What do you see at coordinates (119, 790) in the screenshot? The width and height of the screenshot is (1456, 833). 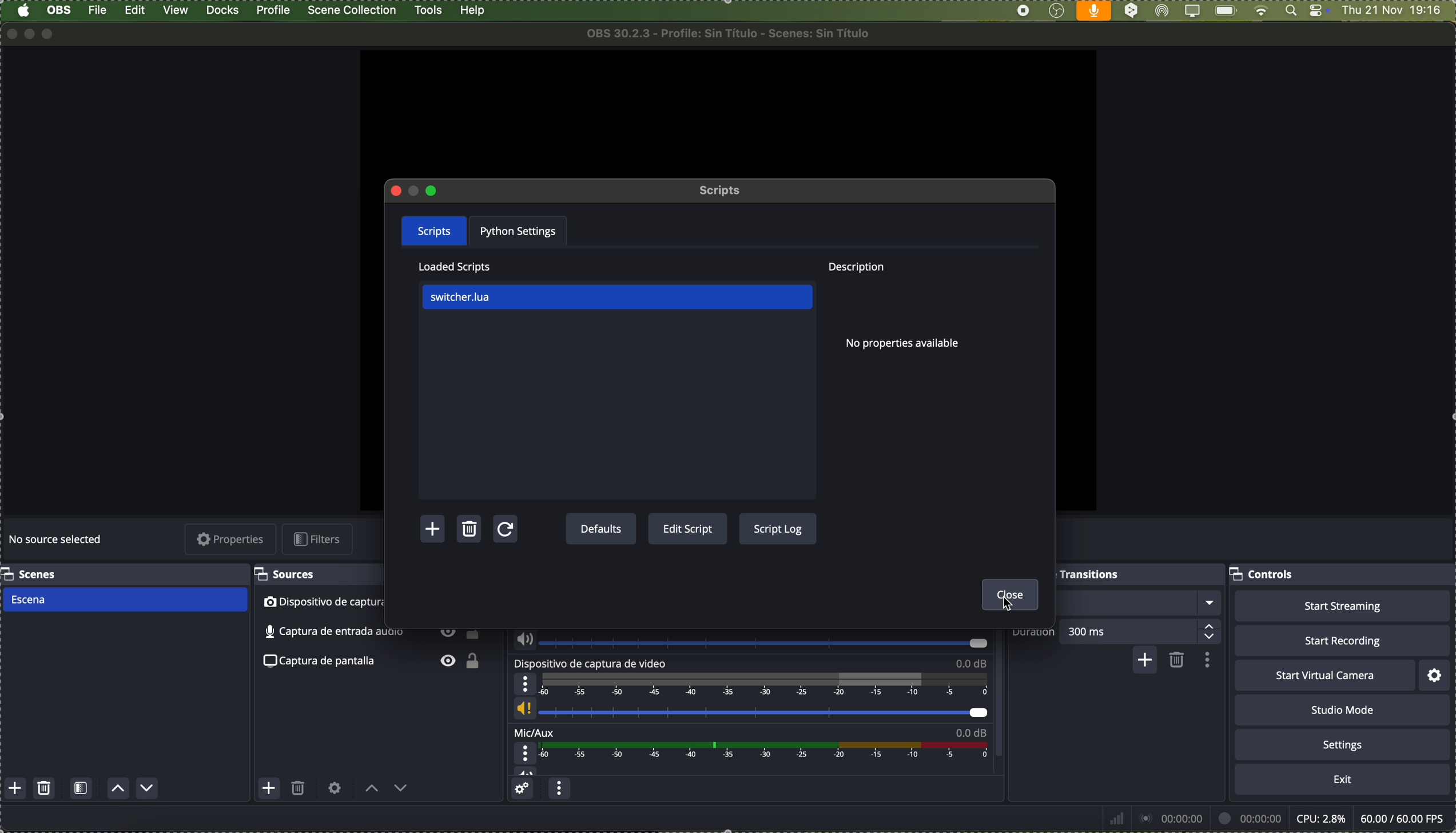 I see `move scene up` at bounding box center [119, 790].